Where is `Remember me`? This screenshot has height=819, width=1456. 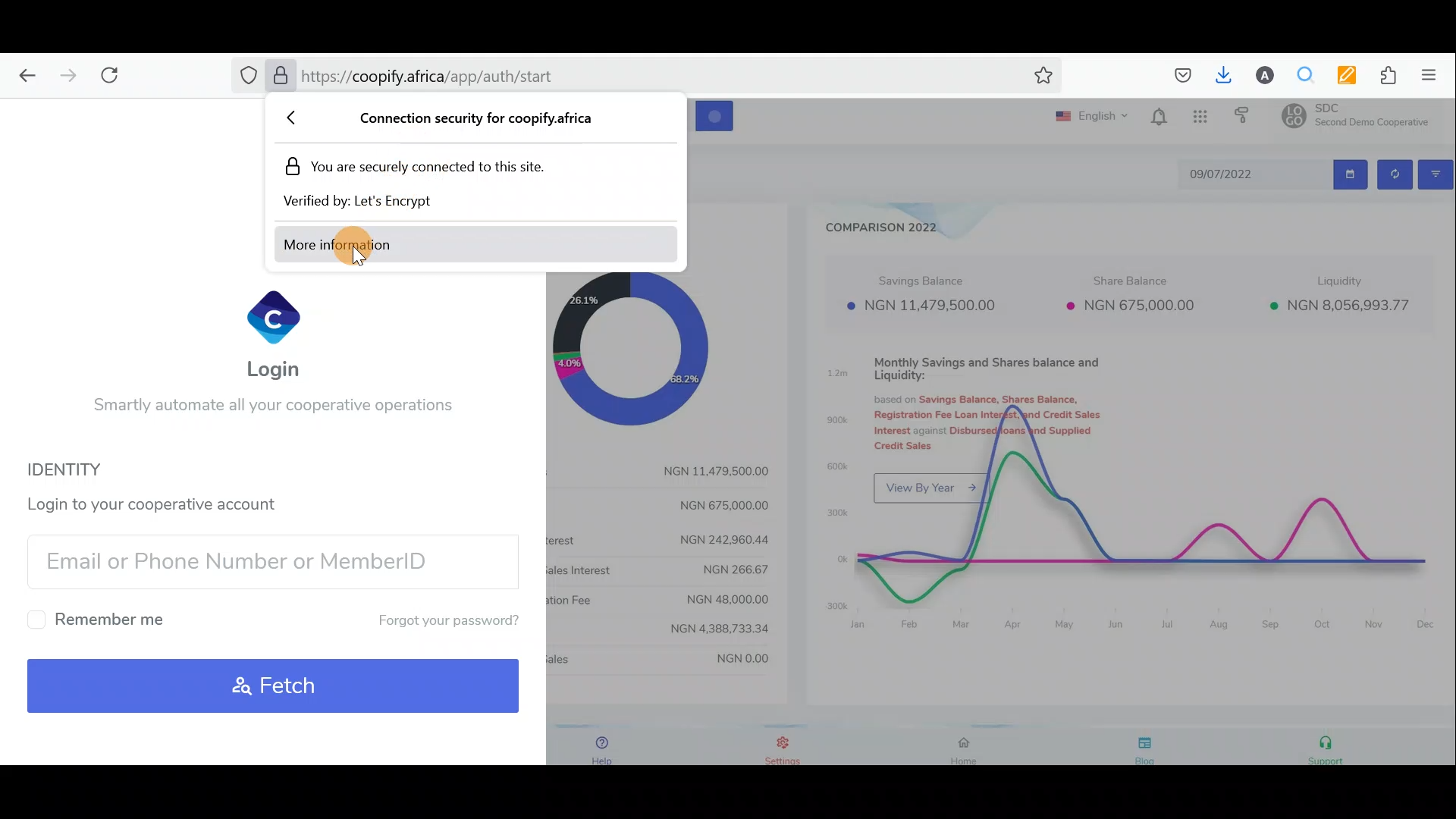 Remember me is located at coordinates (102, 619).